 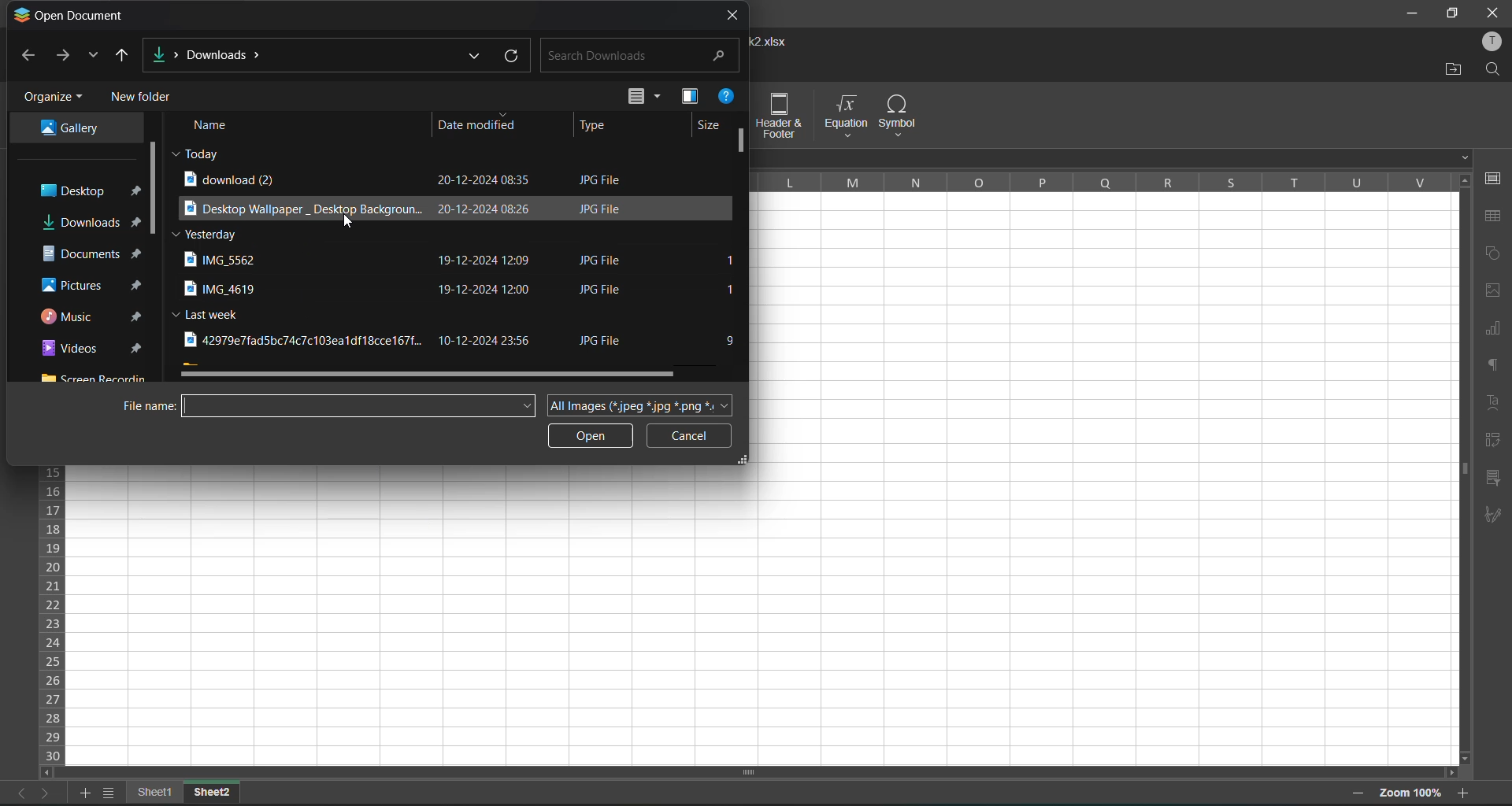 I want to click on refresh, so click(x=512, y=58).